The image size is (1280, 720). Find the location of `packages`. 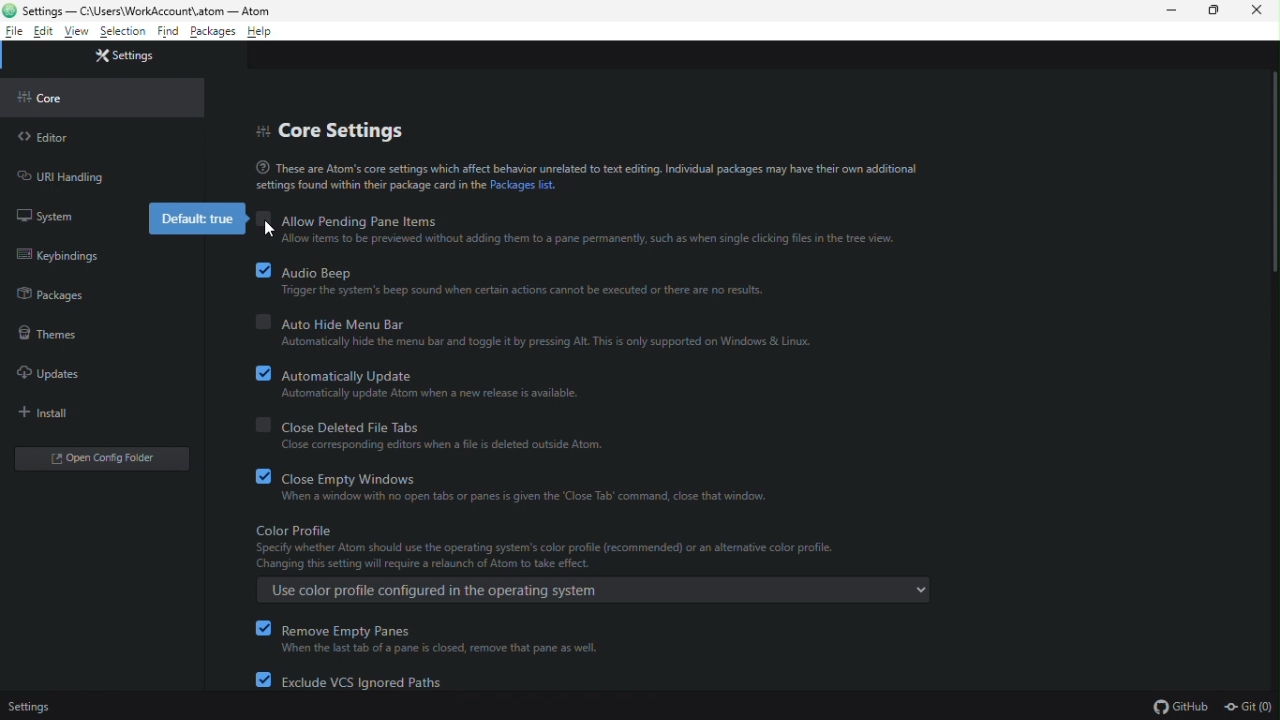

packages is located at coordinates (52, 294).